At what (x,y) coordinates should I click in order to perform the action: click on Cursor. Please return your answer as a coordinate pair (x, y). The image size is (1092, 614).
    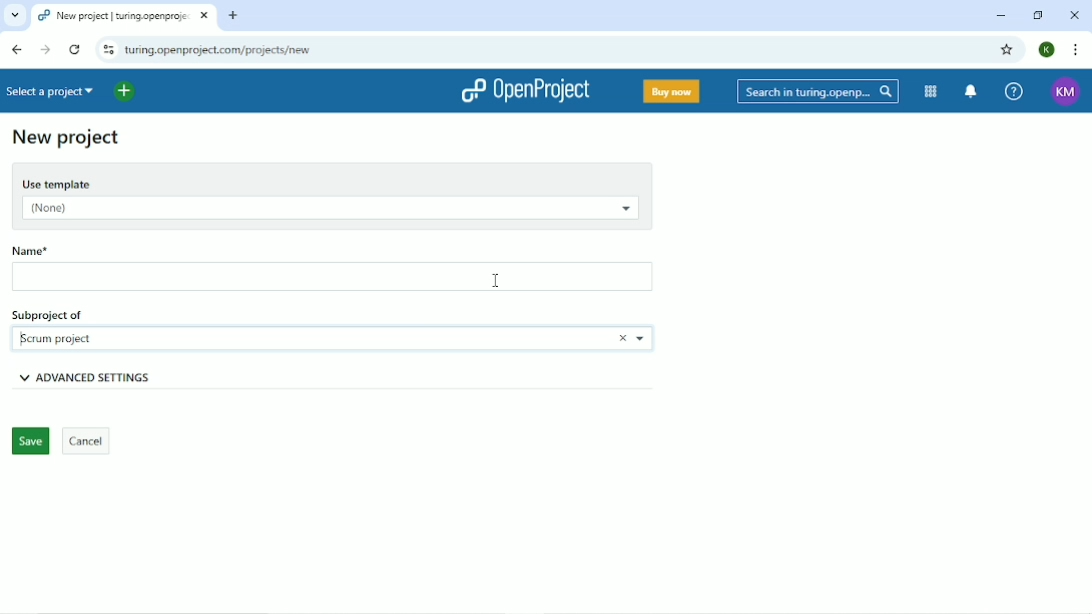
    Looking at the image, I should click on (496, 280).